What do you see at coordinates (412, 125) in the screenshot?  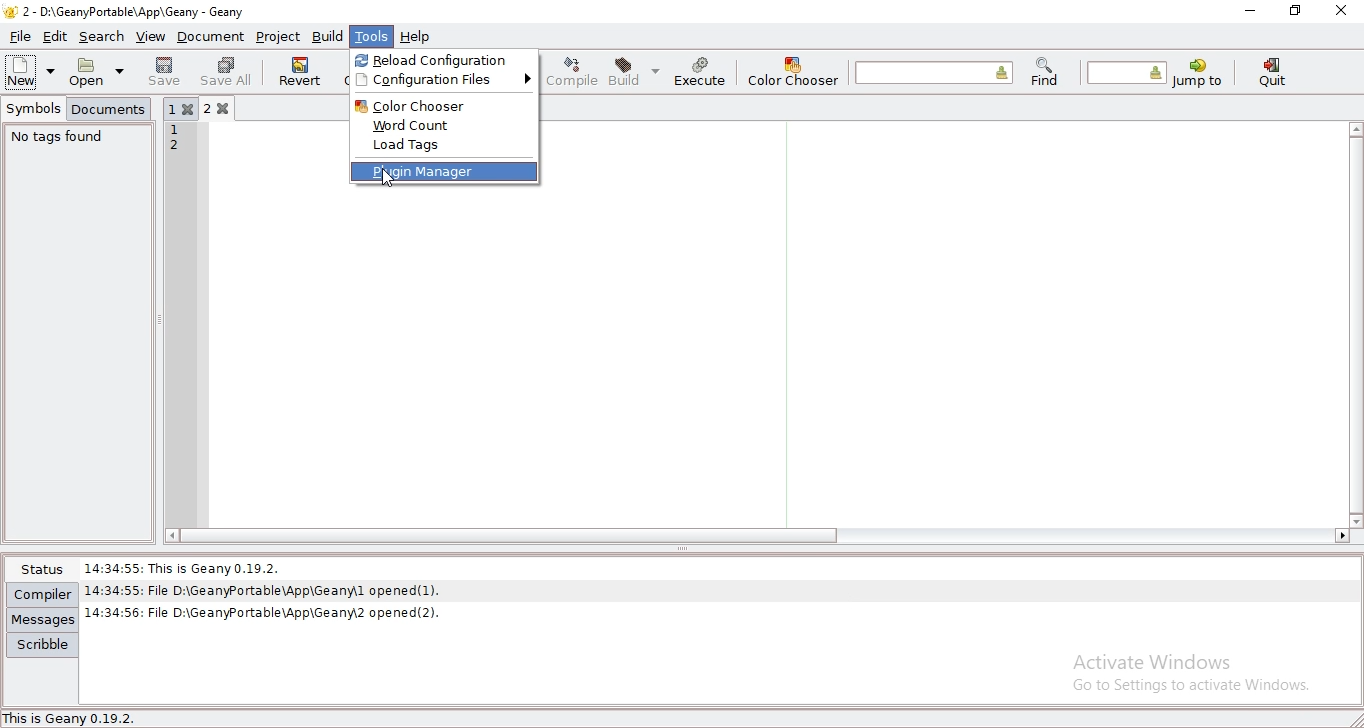 I see `word count` at bounding box center [412, 125].